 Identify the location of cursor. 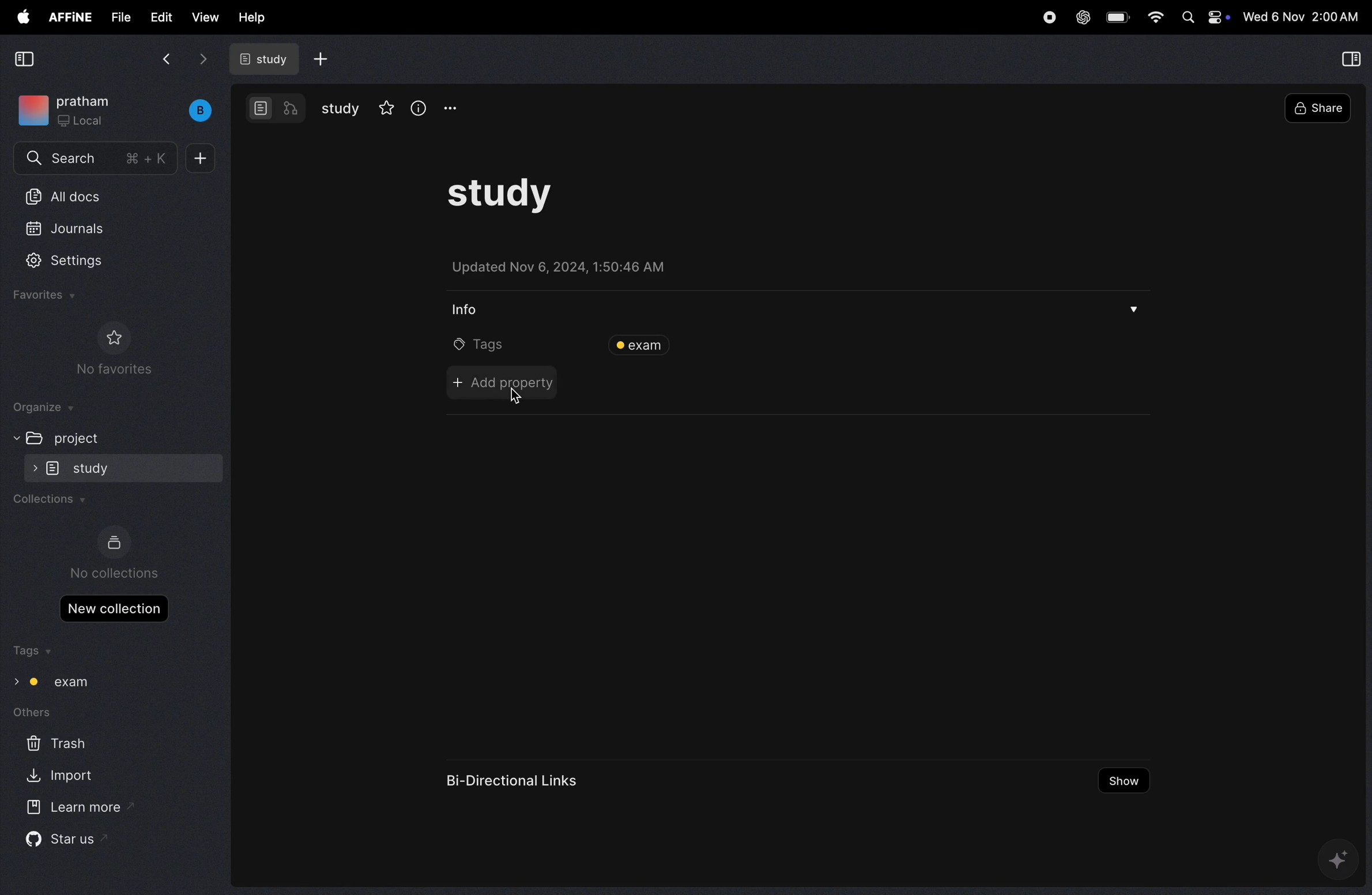
(515, 399).